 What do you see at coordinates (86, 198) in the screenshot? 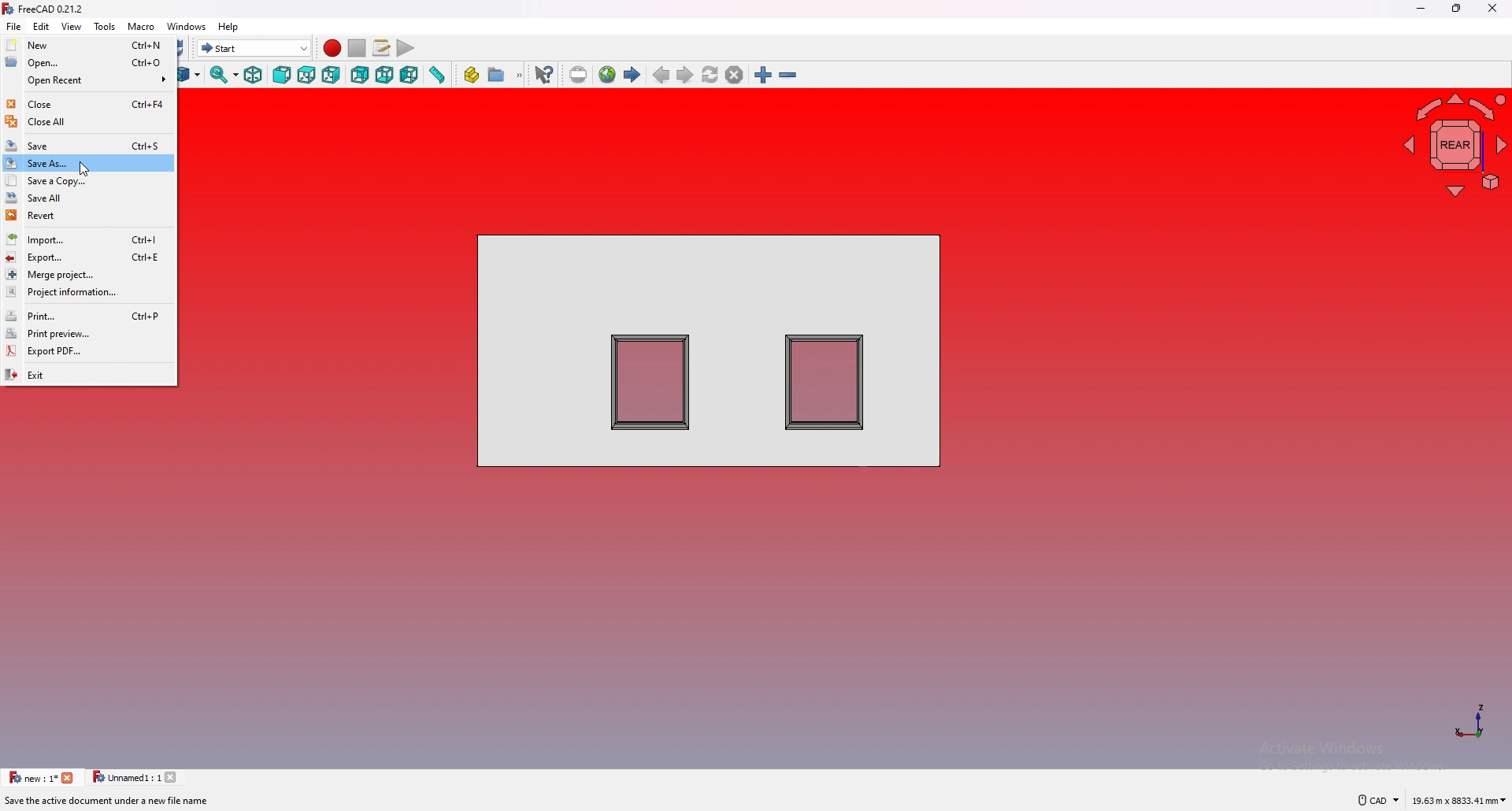
I see `save all` at bounding box center [86, 198].